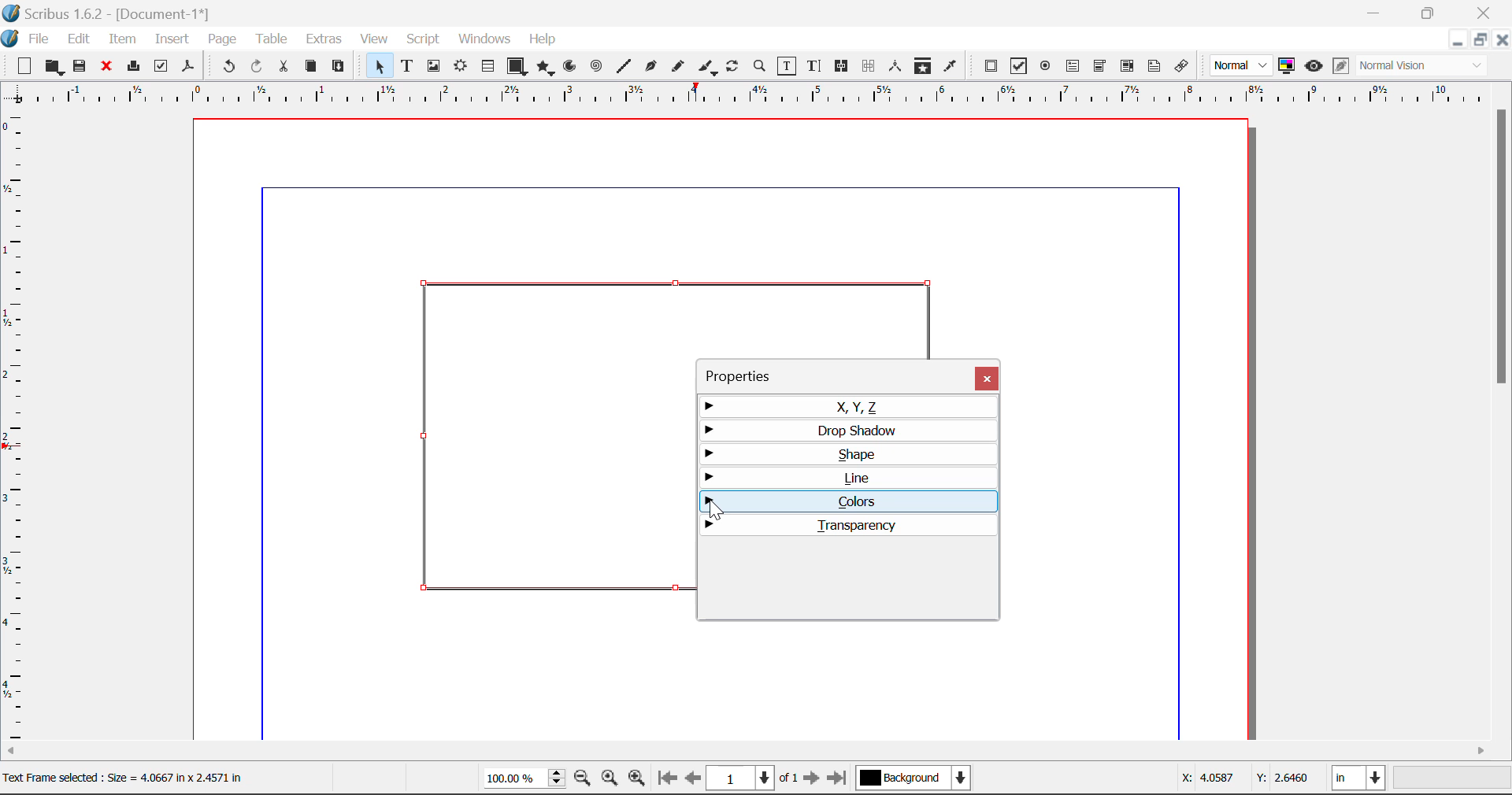 This screenshot has height=795, width=1512. Describe the element at coordinates (460, 67) in the screenshot. I see `Render Frame` at that location.